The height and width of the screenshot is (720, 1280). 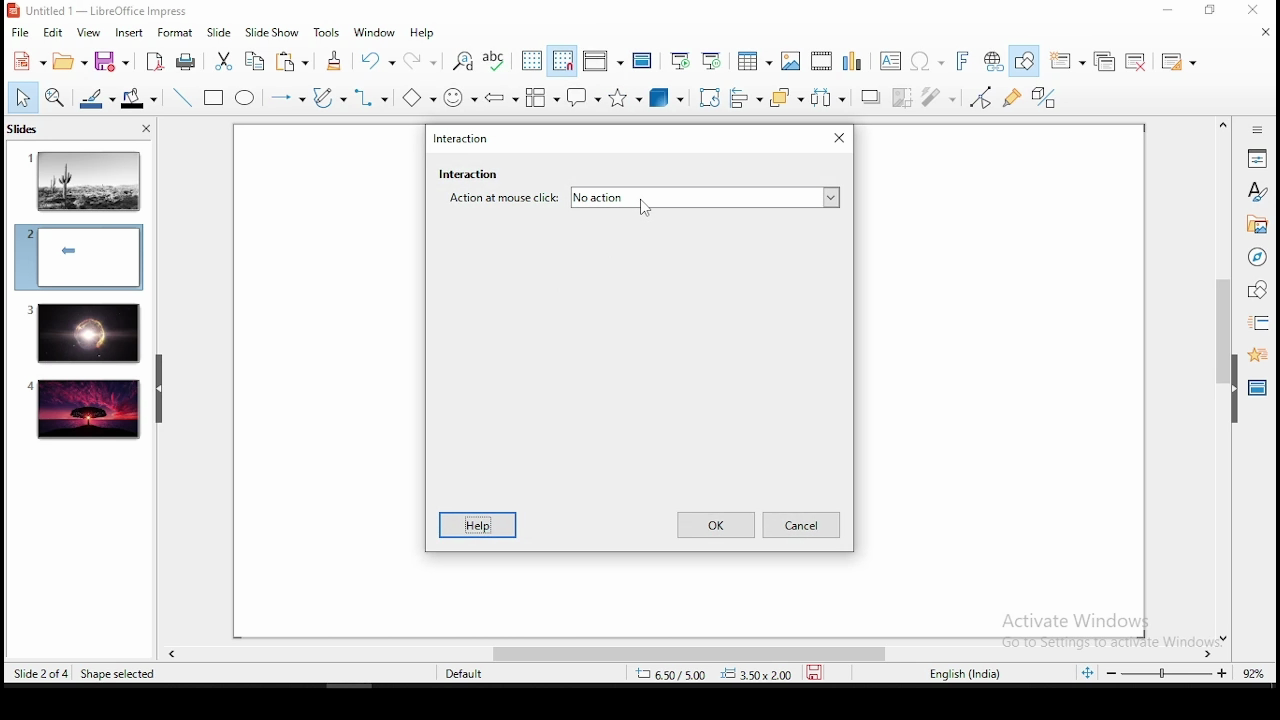 I want to click on insert audio and video, so click(x=821, y=62).